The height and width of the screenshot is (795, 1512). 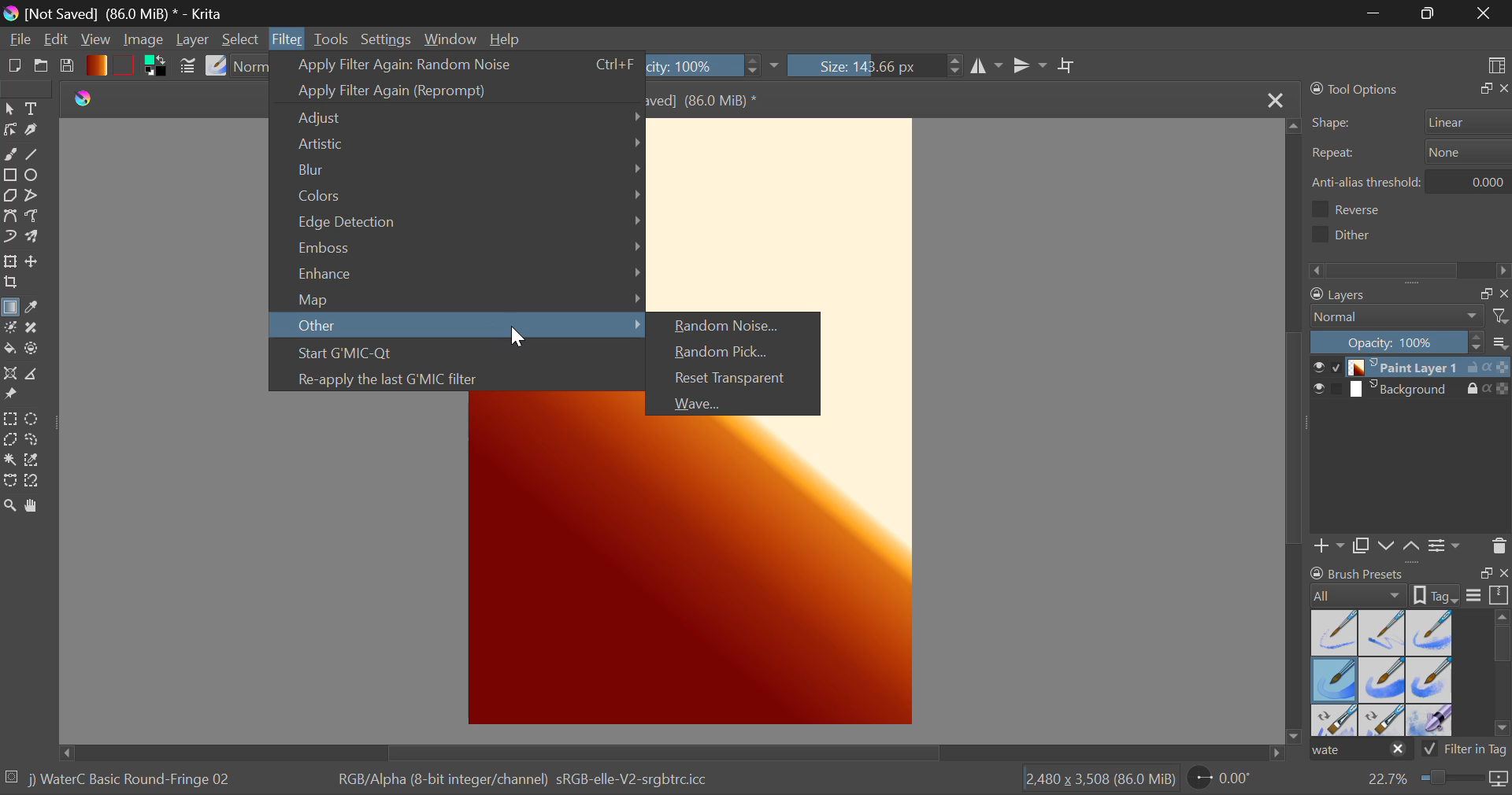 What do you see at coordinates (33, 418) in the screenshot?
I see `Circular Selection` at bounding box center [33, 418].